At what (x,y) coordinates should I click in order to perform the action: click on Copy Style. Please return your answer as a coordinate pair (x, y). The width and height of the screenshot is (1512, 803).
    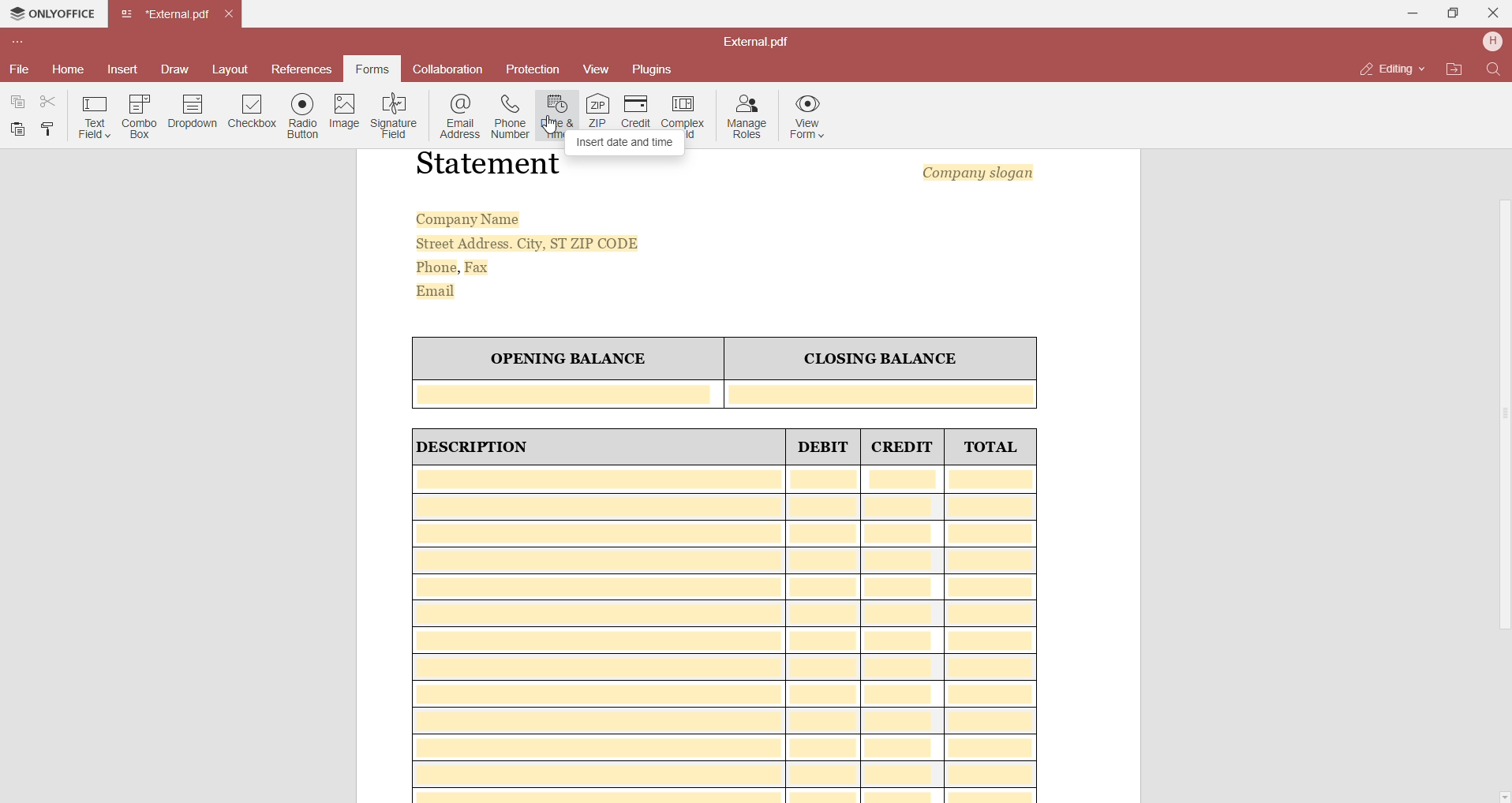
    Looking at the image, I should click on (49, 129).